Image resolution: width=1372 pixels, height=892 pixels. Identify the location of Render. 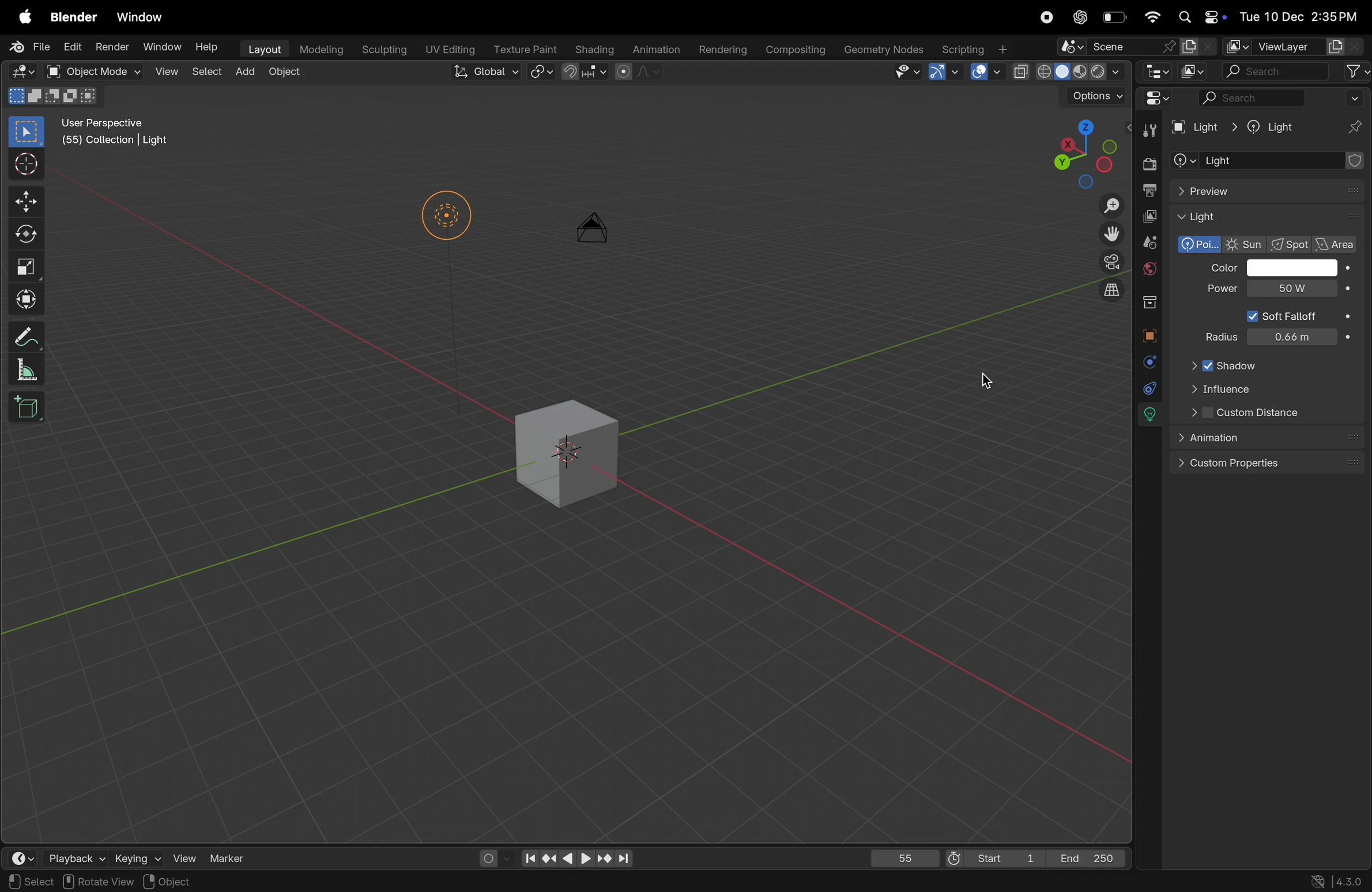
(111, 47).